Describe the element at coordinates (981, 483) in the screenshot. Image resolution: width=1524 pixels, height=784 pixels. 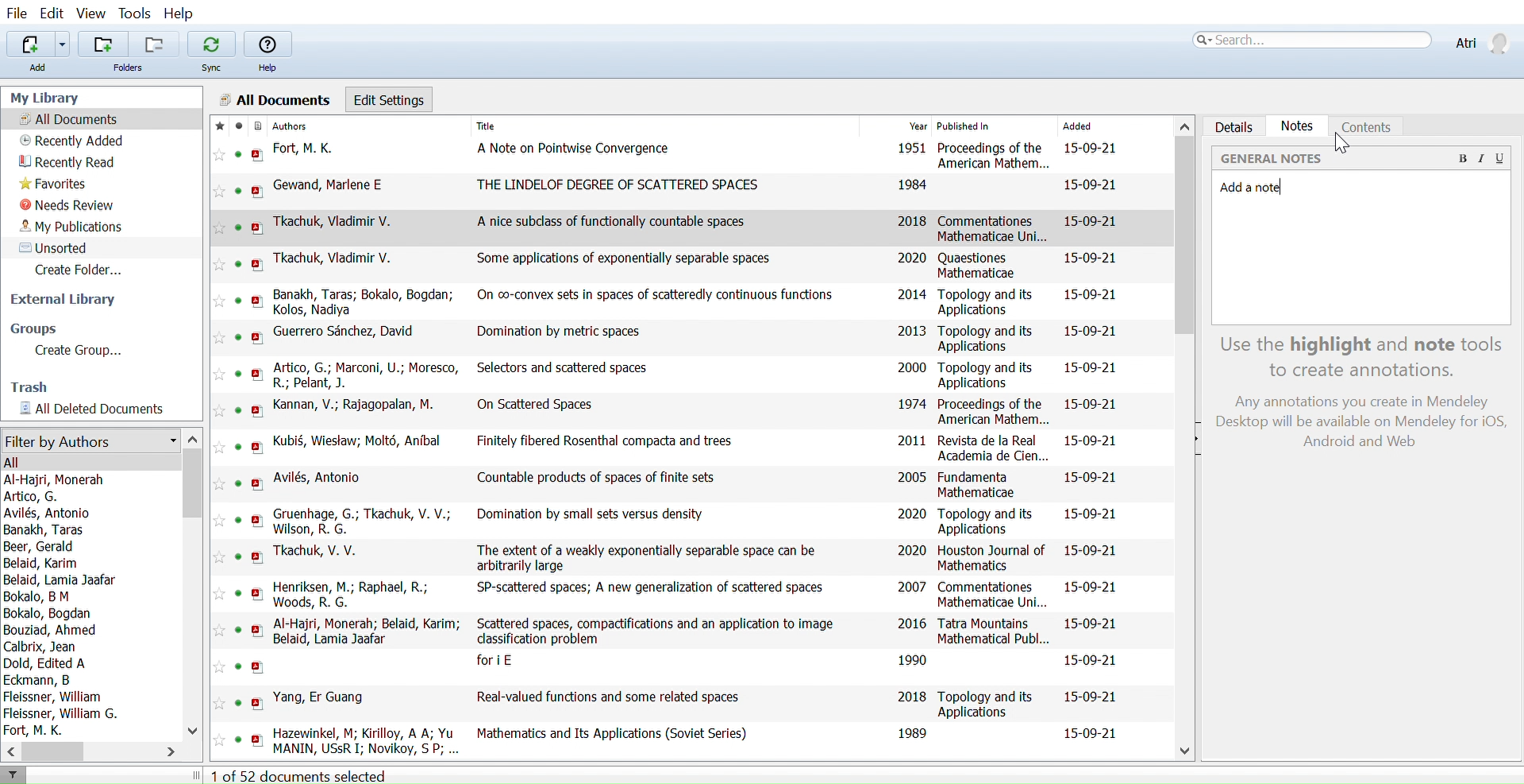
I see `Fundamenta Mathematicae` at that location.